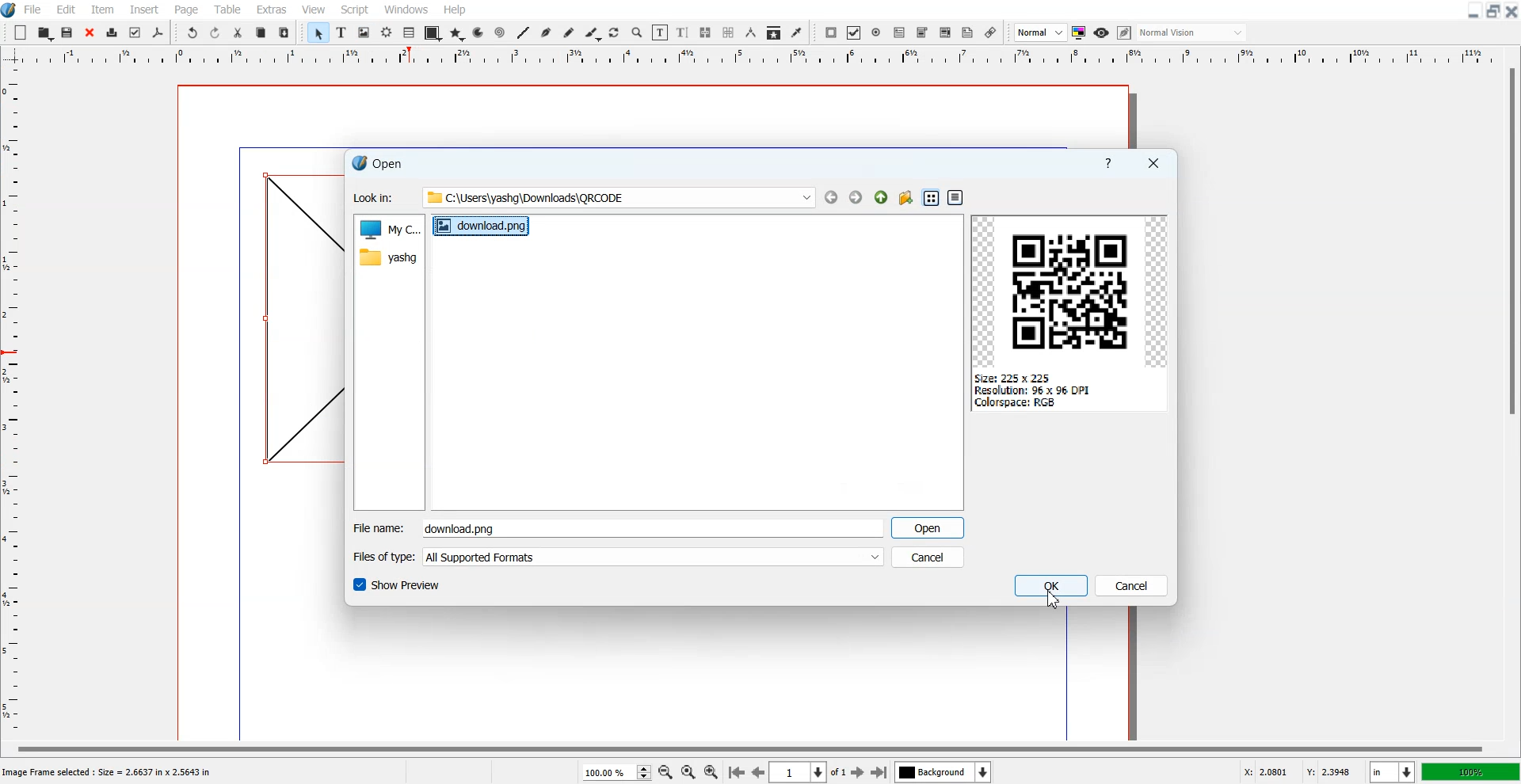  I want to click on Cursor, so click(1054, 598).